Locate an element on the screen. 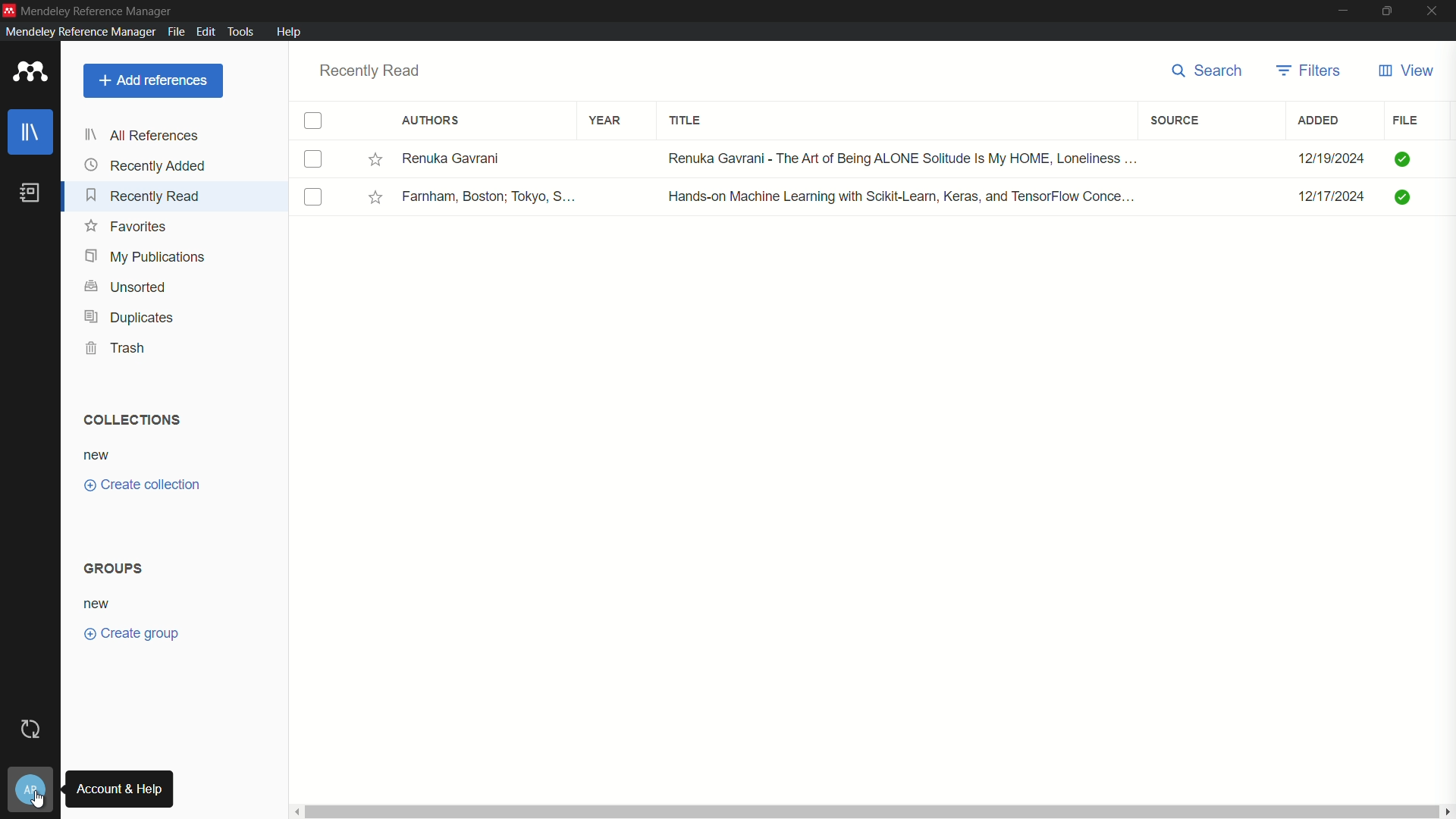 The width and height of the screenshot is (1456, 819). groups is located at coordinates (113, 568).